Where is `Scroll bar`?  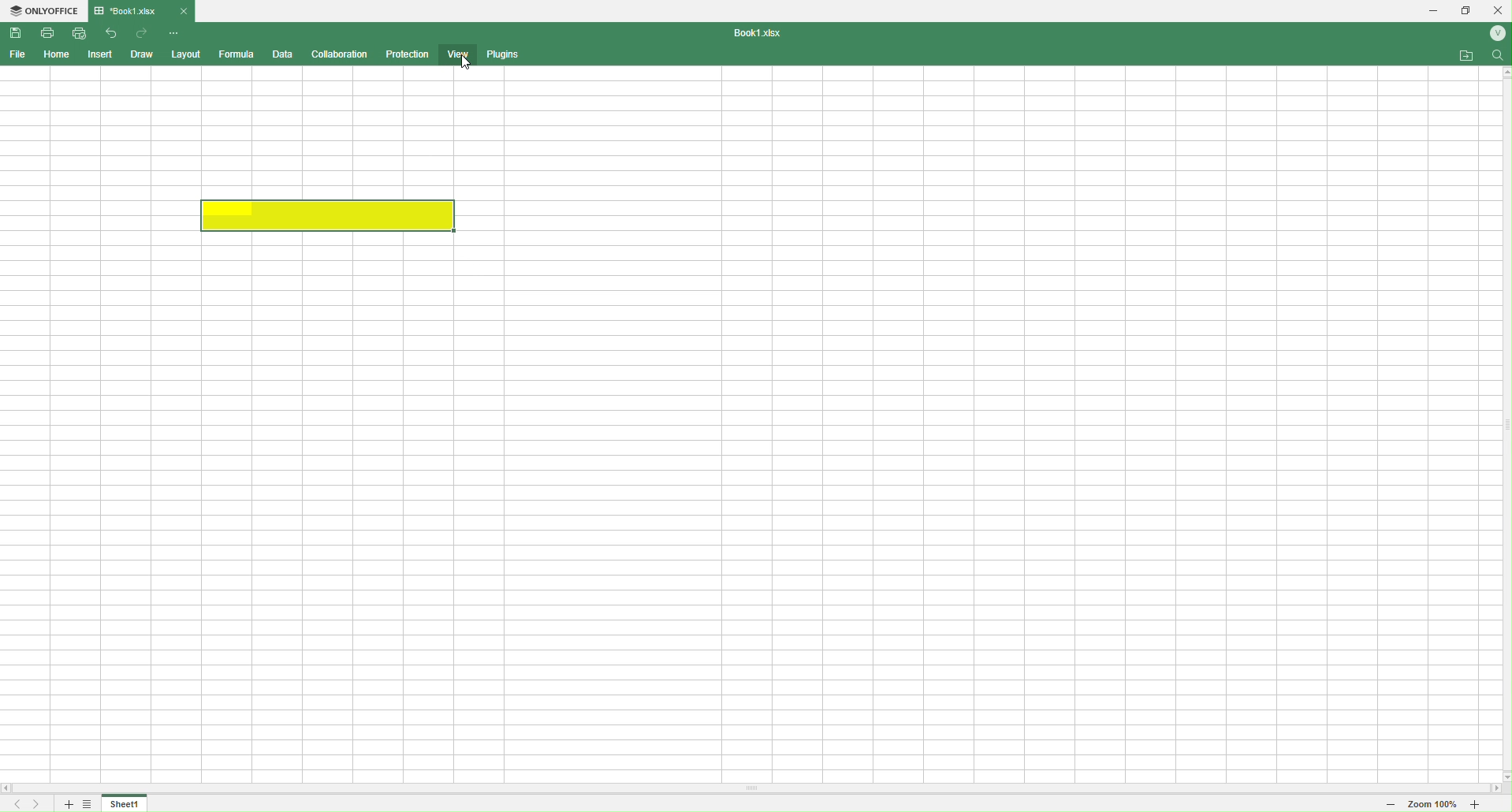 Scroll bar is located at coordinates (756, 789).